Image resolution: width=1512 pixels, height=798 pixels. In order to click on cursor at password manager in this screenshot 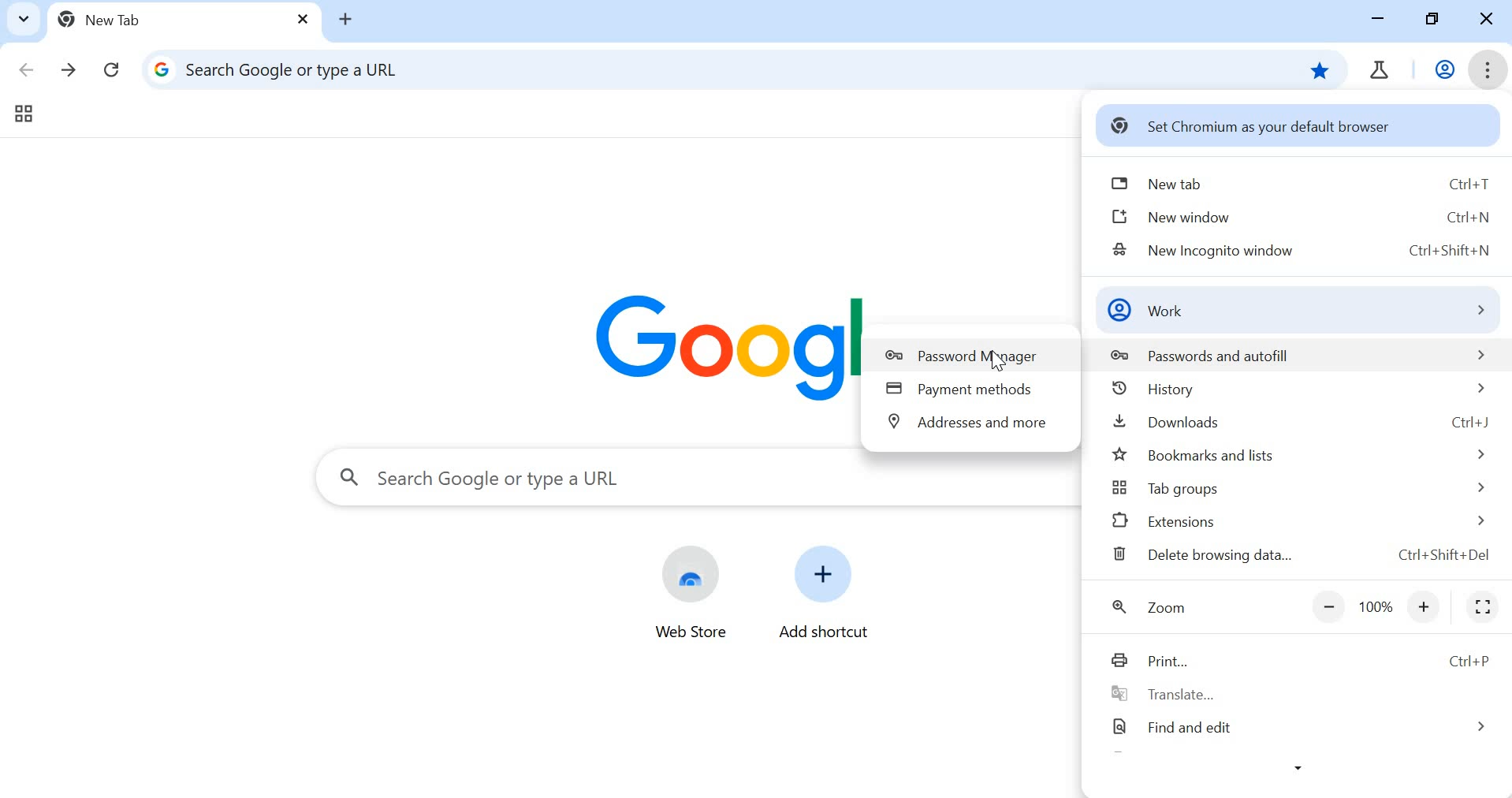, I will do `click(997, 360)`.